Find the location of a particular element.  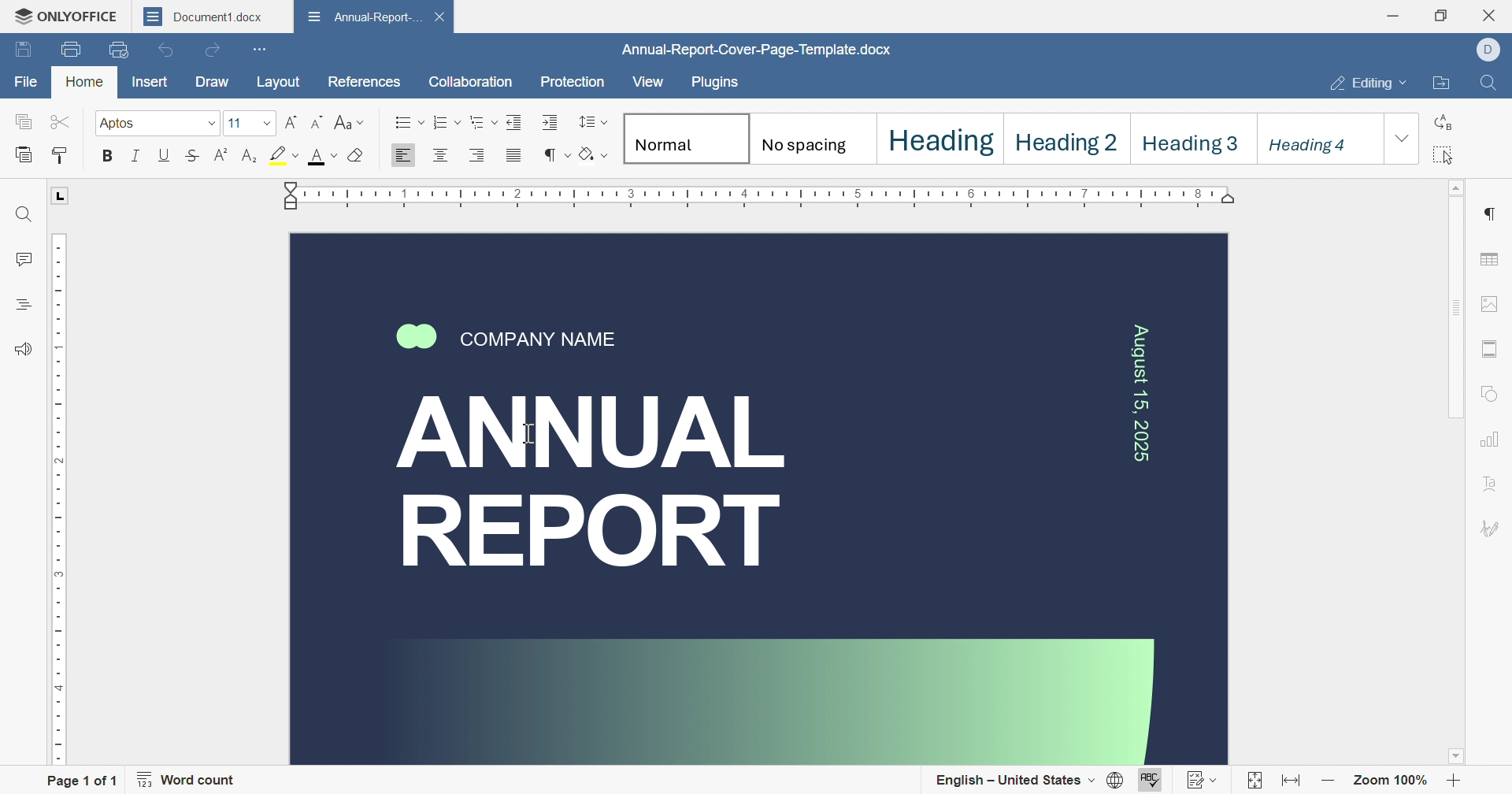

align left is located at coordinates (400, 157).